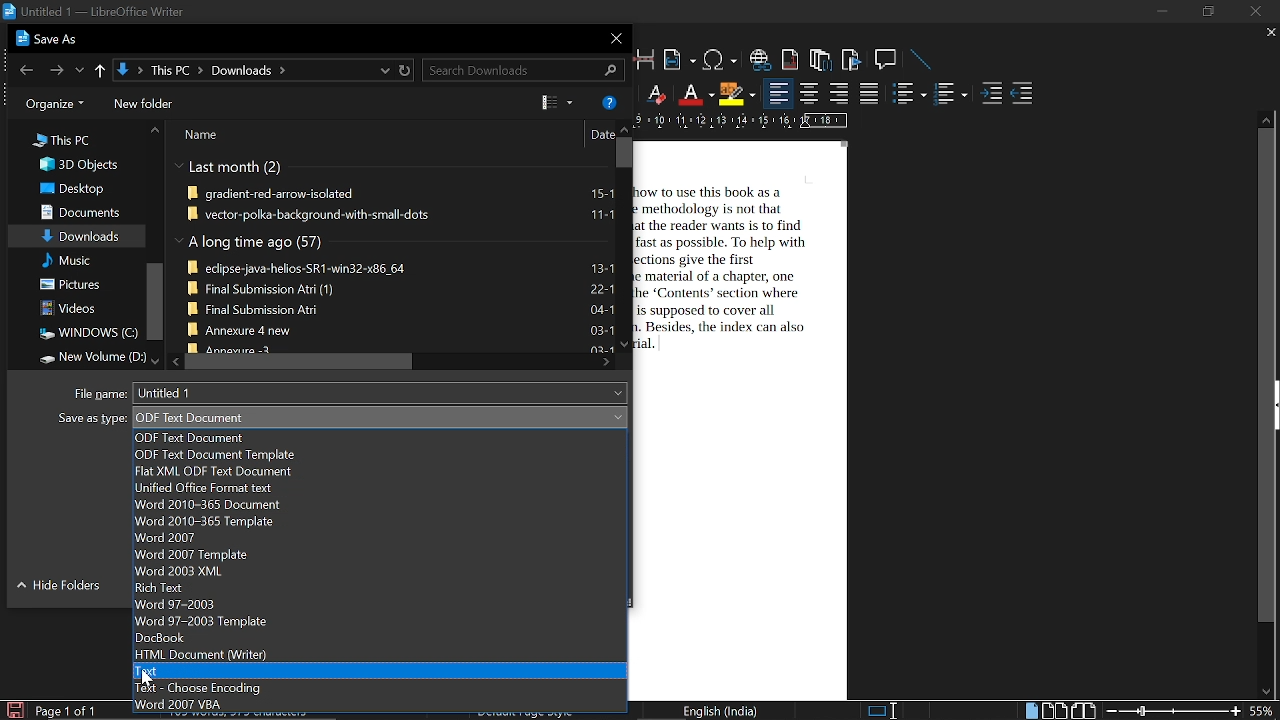  I want to click on file name, so click(100, 391).